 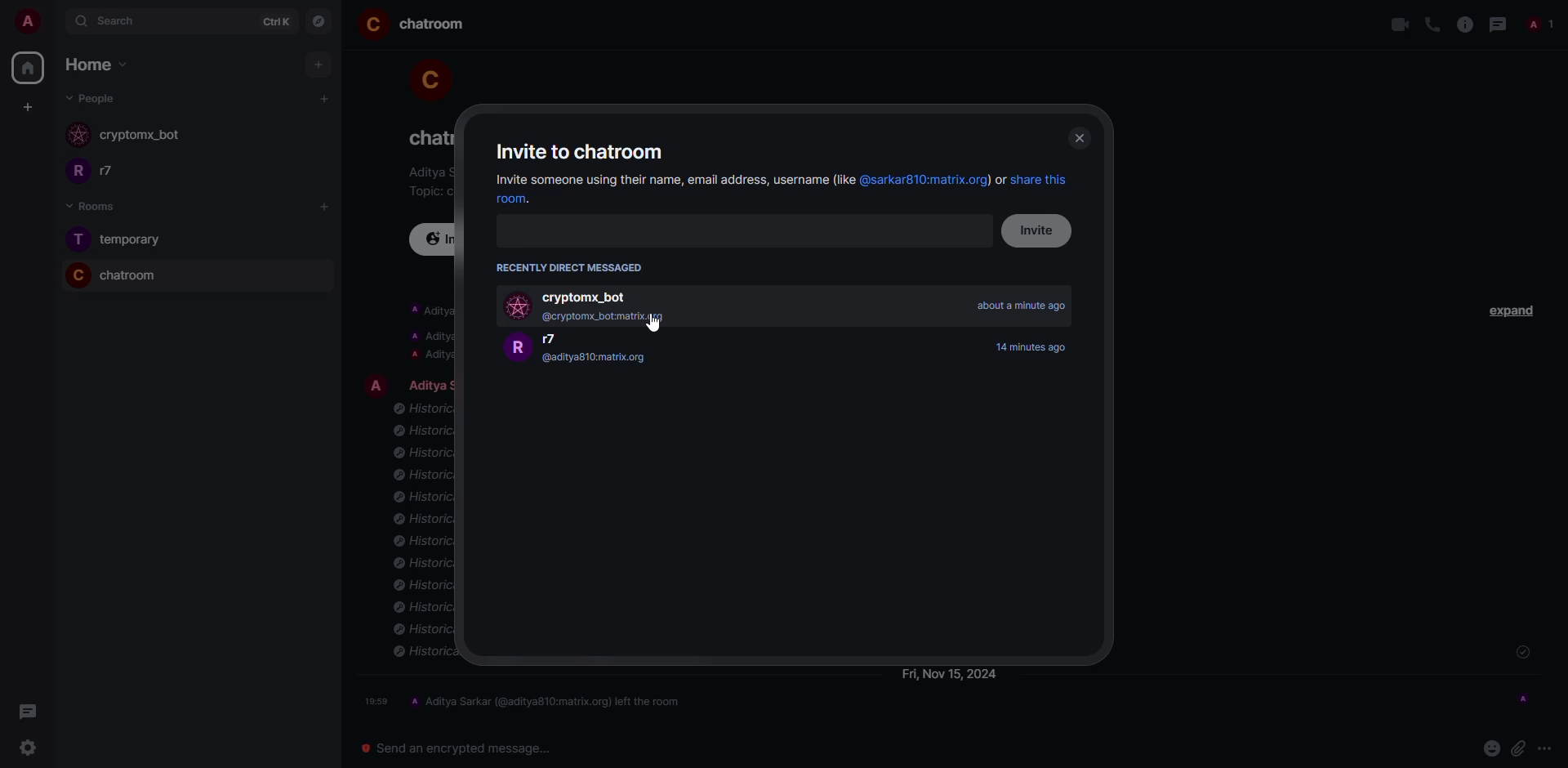 I want to click on time, so click(x=1022, y=306).